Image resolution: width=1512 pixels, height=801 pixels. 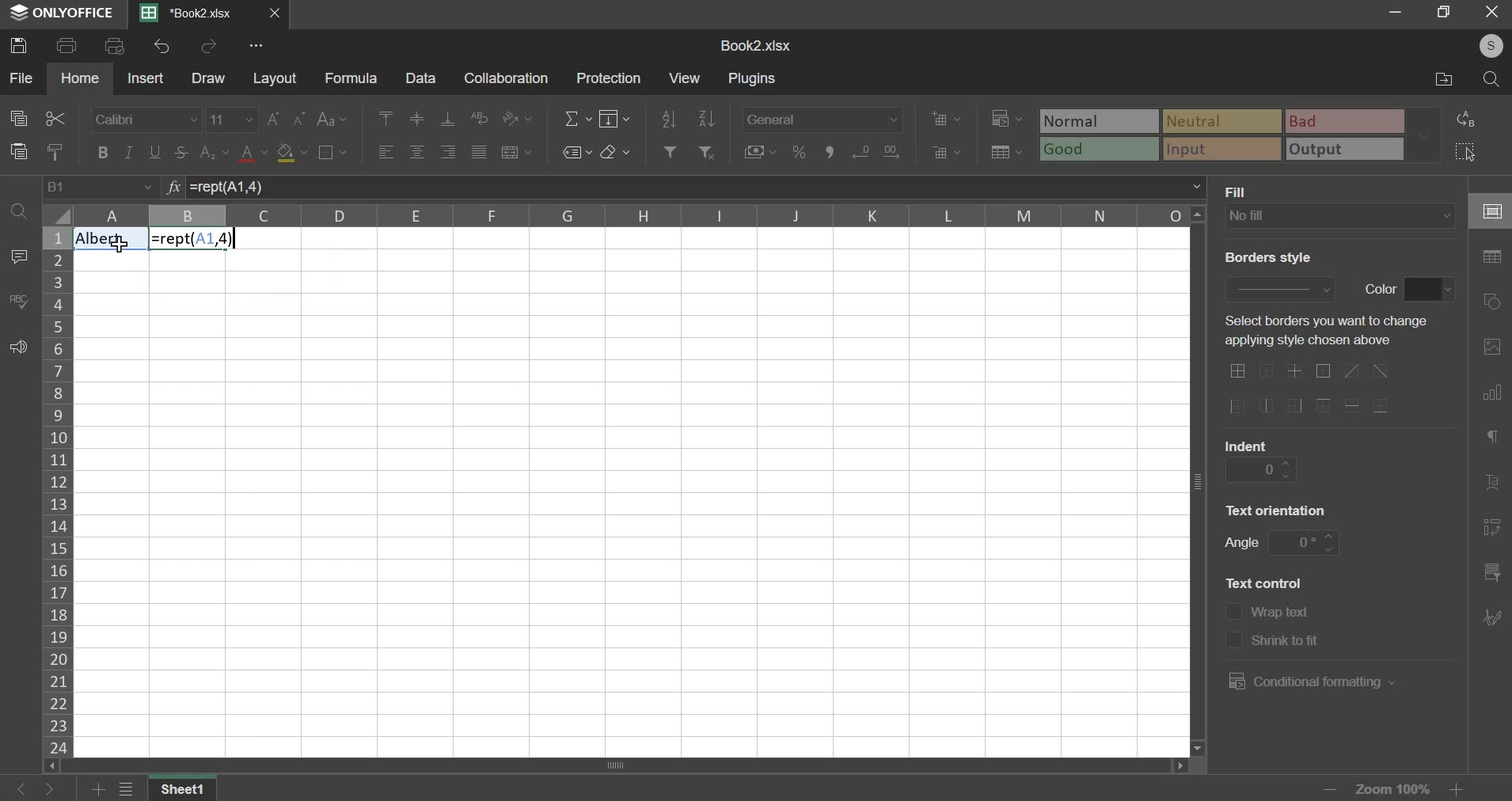 What do you see at coordinates (234, 119) in the screenshot?
I see `font size` at bounding box center [234, 119].